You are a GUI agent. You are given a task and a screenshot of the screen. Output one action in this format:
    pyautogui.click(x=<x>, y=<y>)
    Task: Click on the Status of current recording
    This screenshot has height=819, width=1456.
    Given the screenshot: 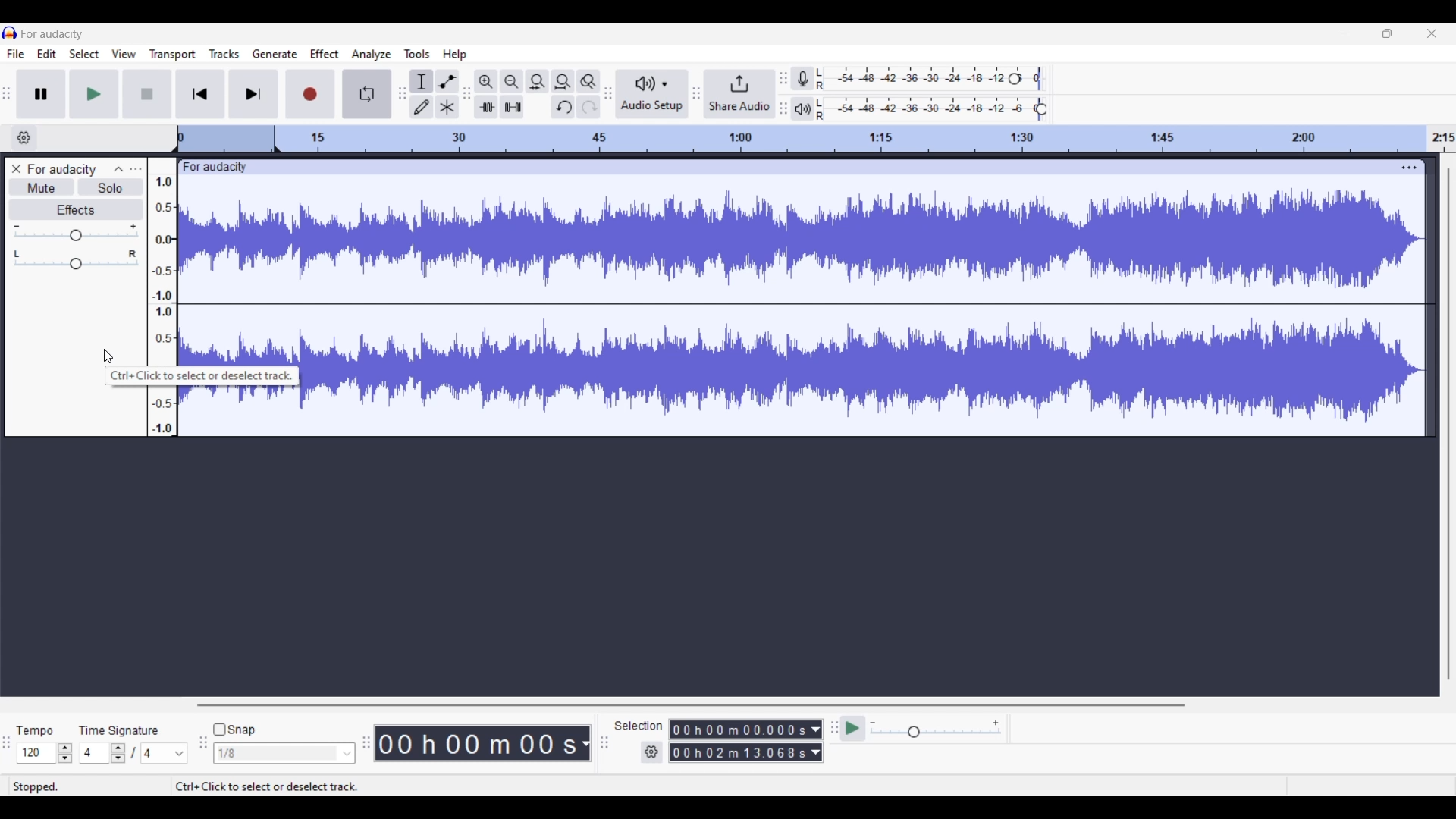 What is the action you would take?
    pyautogui.click(x=88, y=787)
    